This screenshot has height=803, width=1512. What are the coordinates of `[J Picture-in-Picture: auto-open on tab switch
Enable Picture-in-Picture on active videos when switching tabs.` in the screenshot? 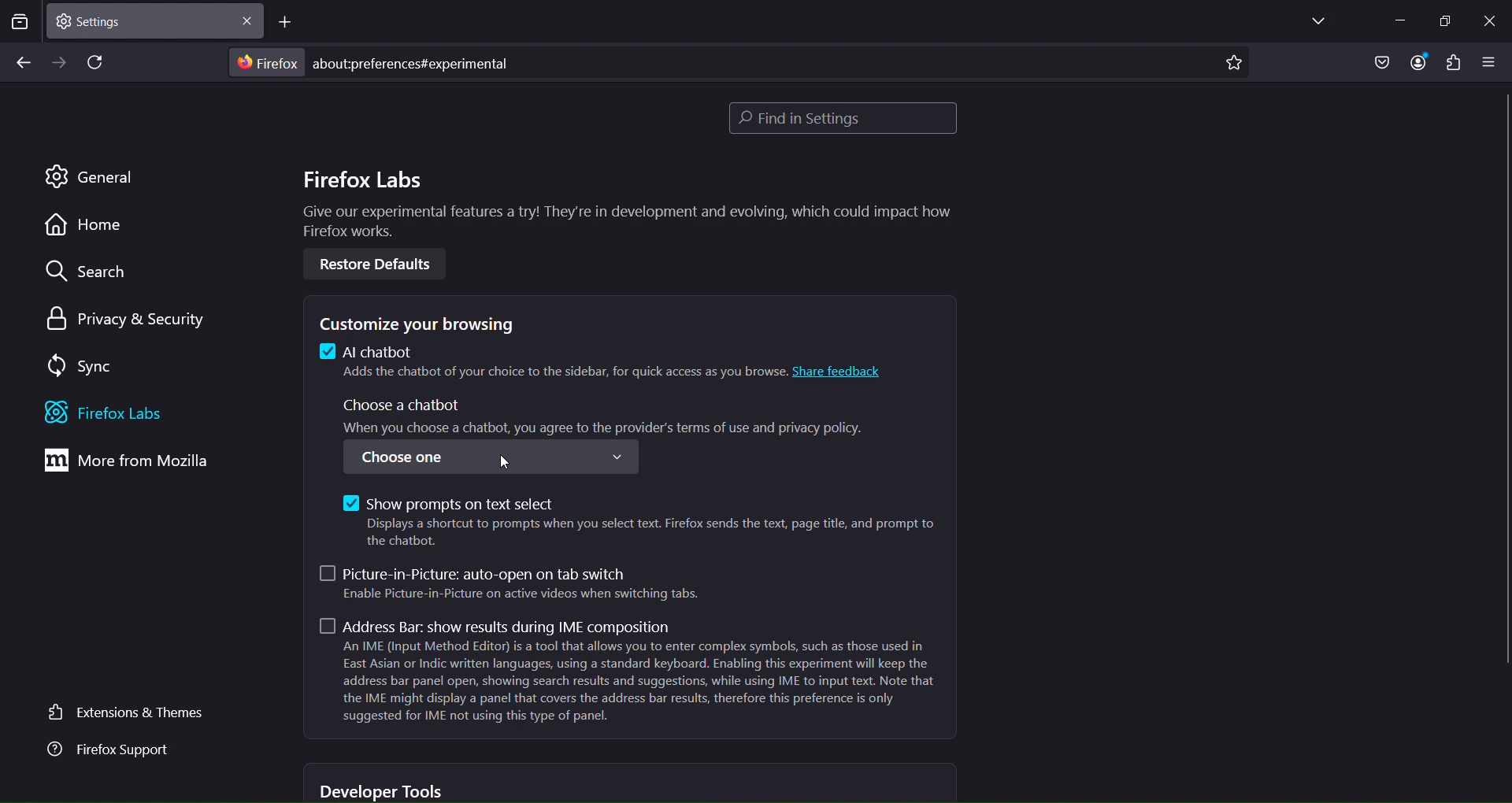 It's located at (514, 583).